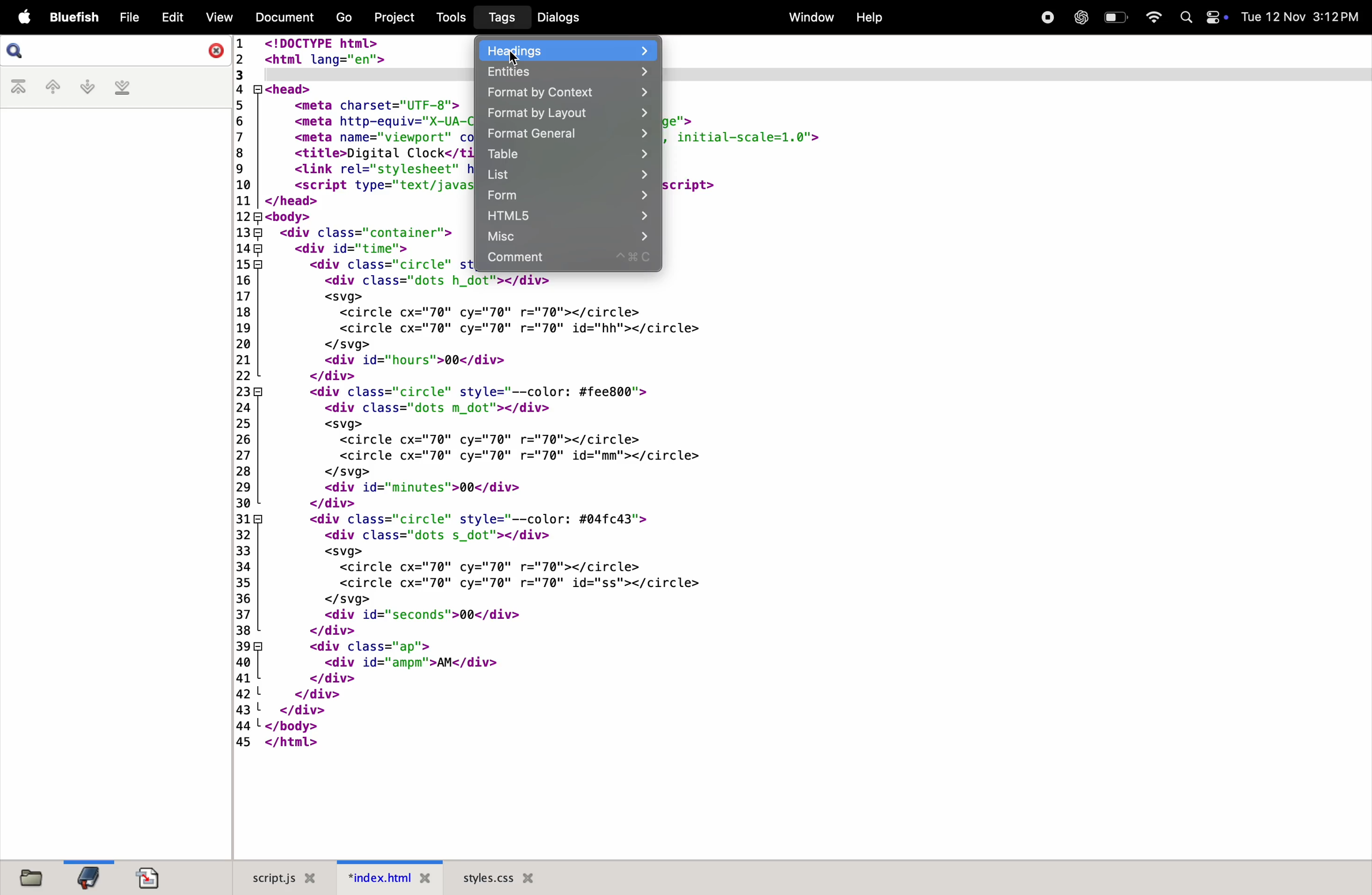 This screenshot has width=1372, height=895. What do you see at coordinates (88, 877) in the screenshot?
I see `bookmark` at bounding box center [88, 877].